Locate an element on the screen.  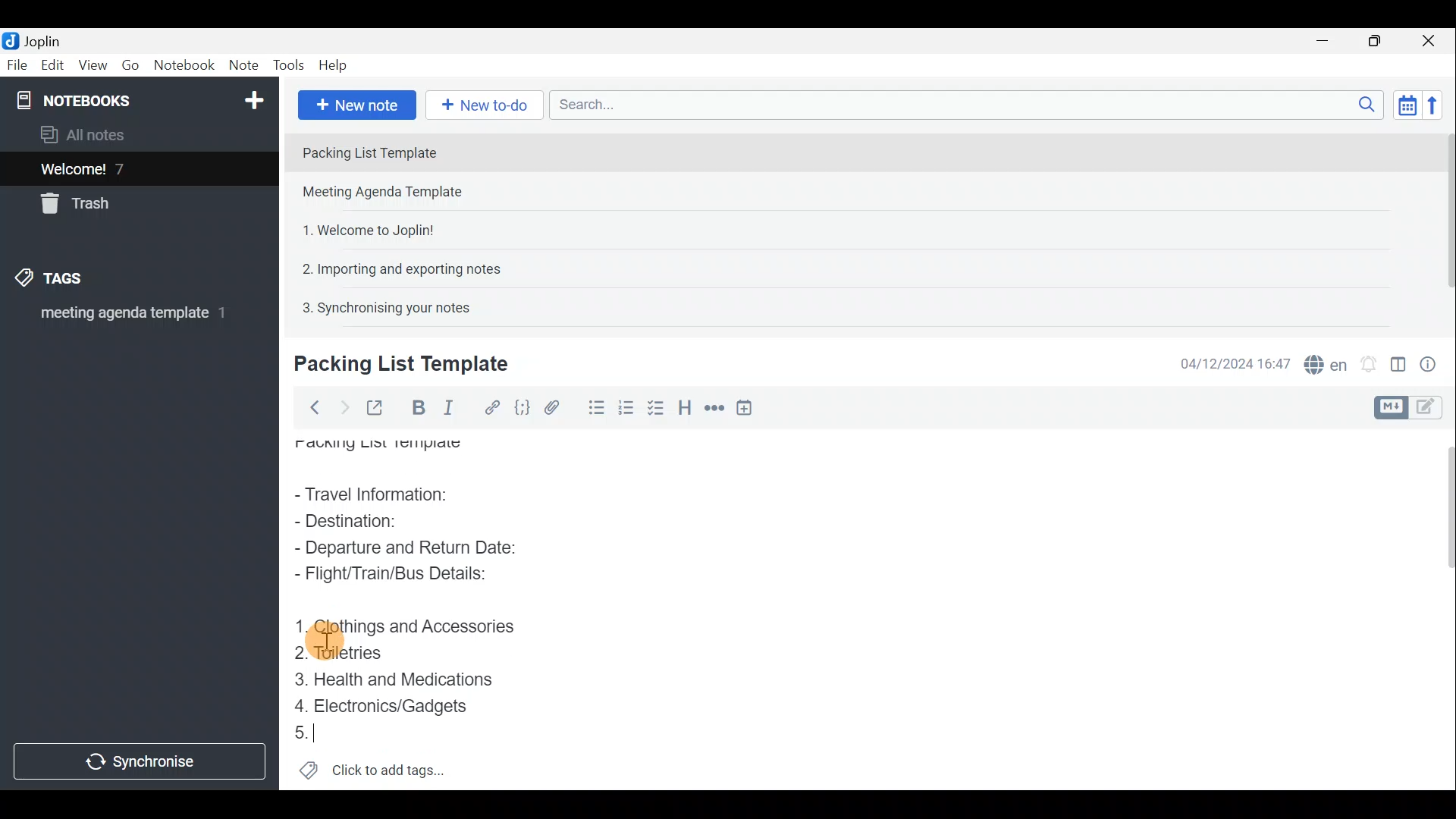
View is located at coordinates (94, 65).